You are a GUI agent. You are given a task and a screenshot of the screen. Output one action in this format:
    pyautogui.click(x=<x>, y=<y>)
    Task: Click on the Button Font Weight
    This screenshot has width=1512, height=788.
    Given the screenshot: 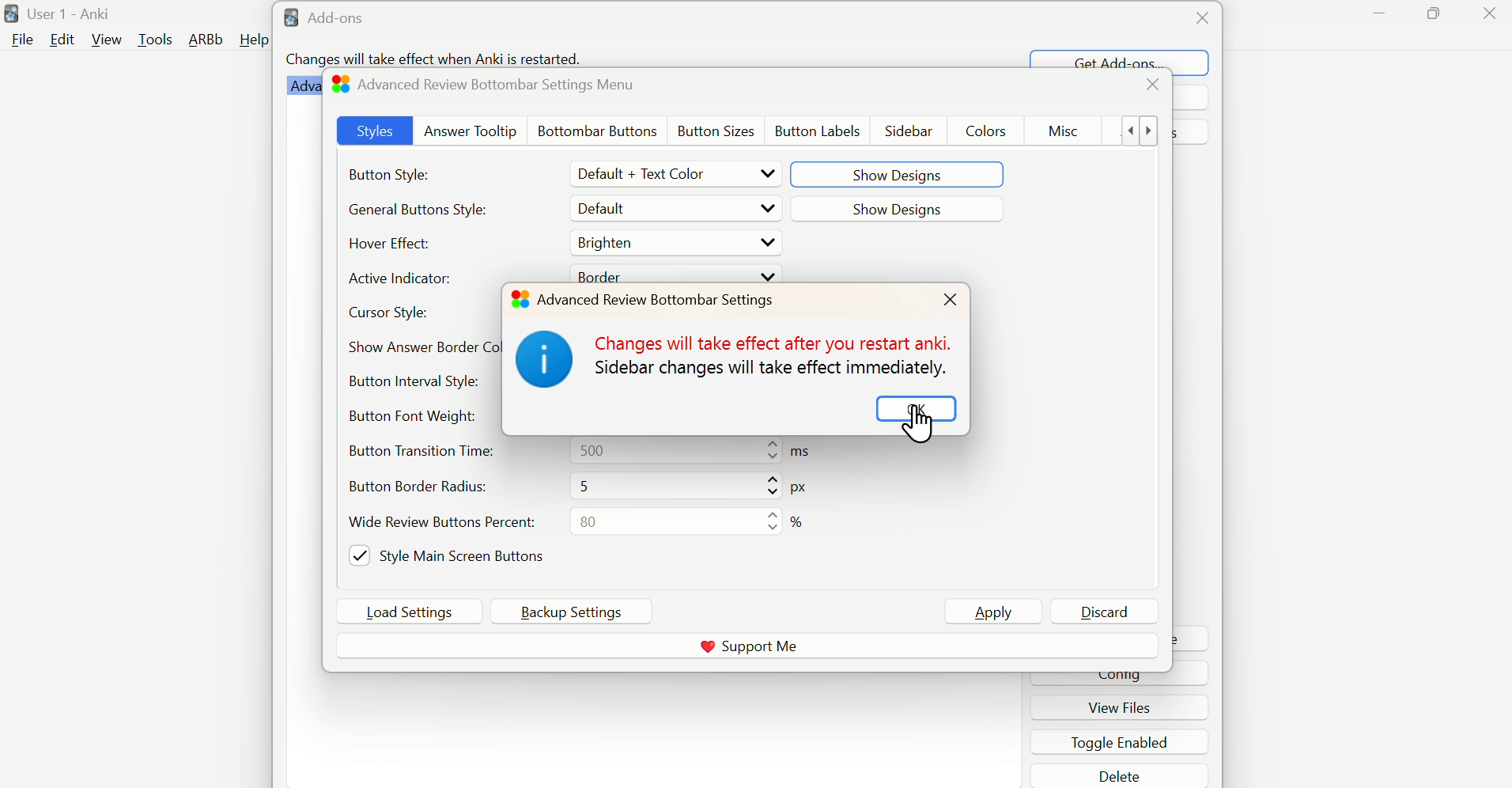 What is the action you would take?
    pyautogui.click(x=418, y=414)
    